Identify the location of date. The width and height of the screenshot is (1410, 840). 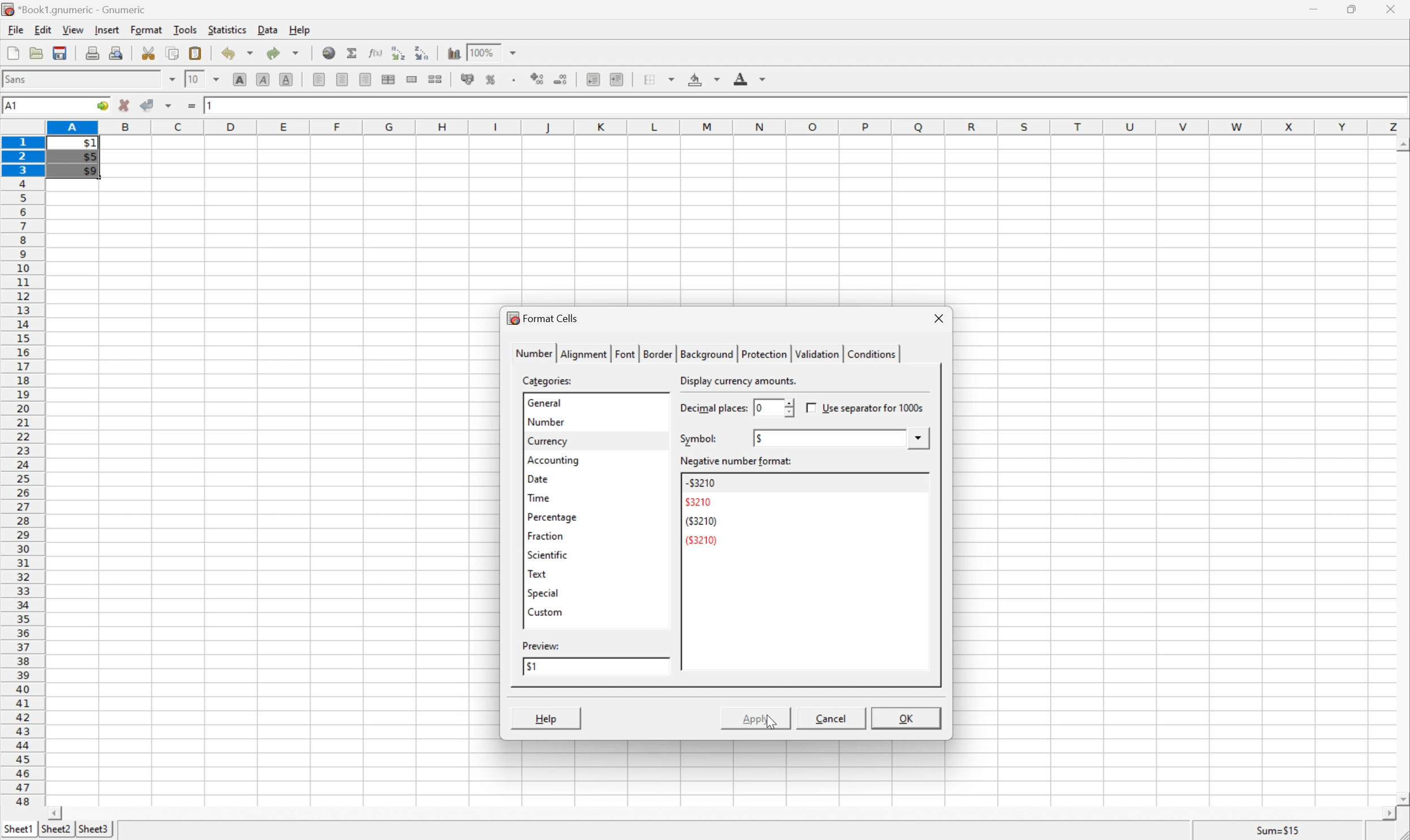
(537, 478).